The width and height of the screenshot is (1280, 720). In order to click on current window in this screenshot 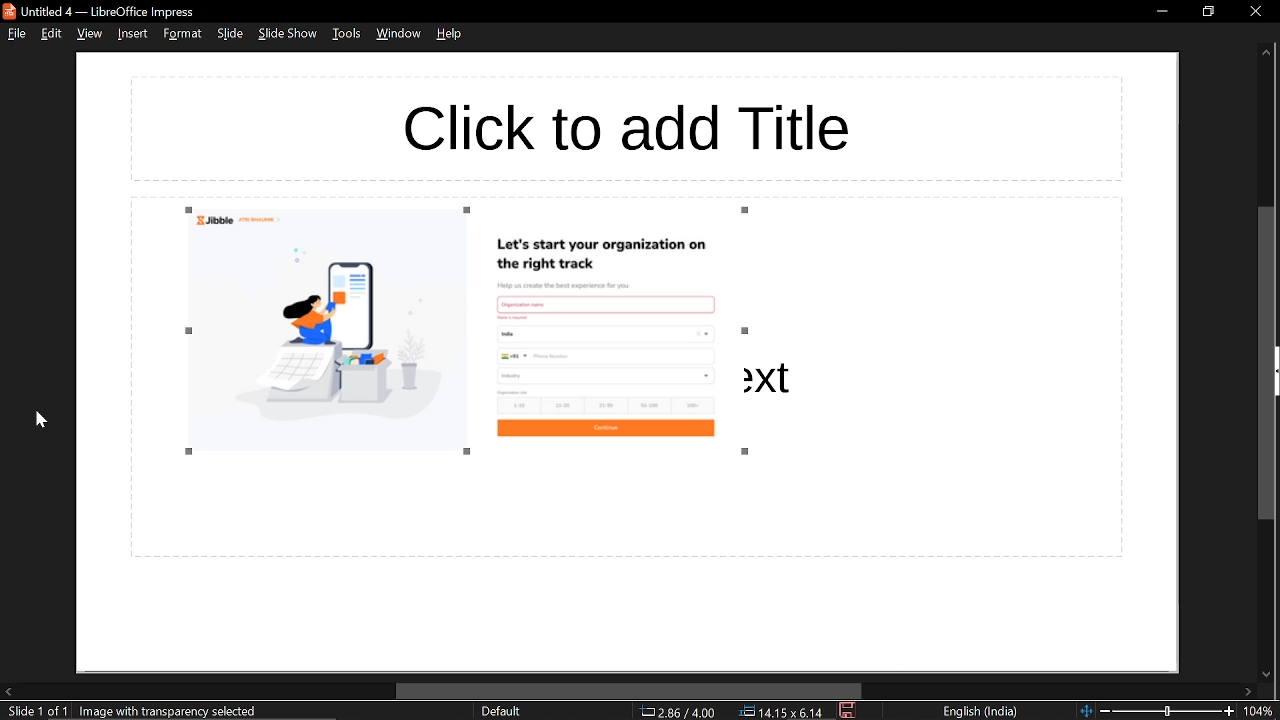, I will do `click(104, 11)`.